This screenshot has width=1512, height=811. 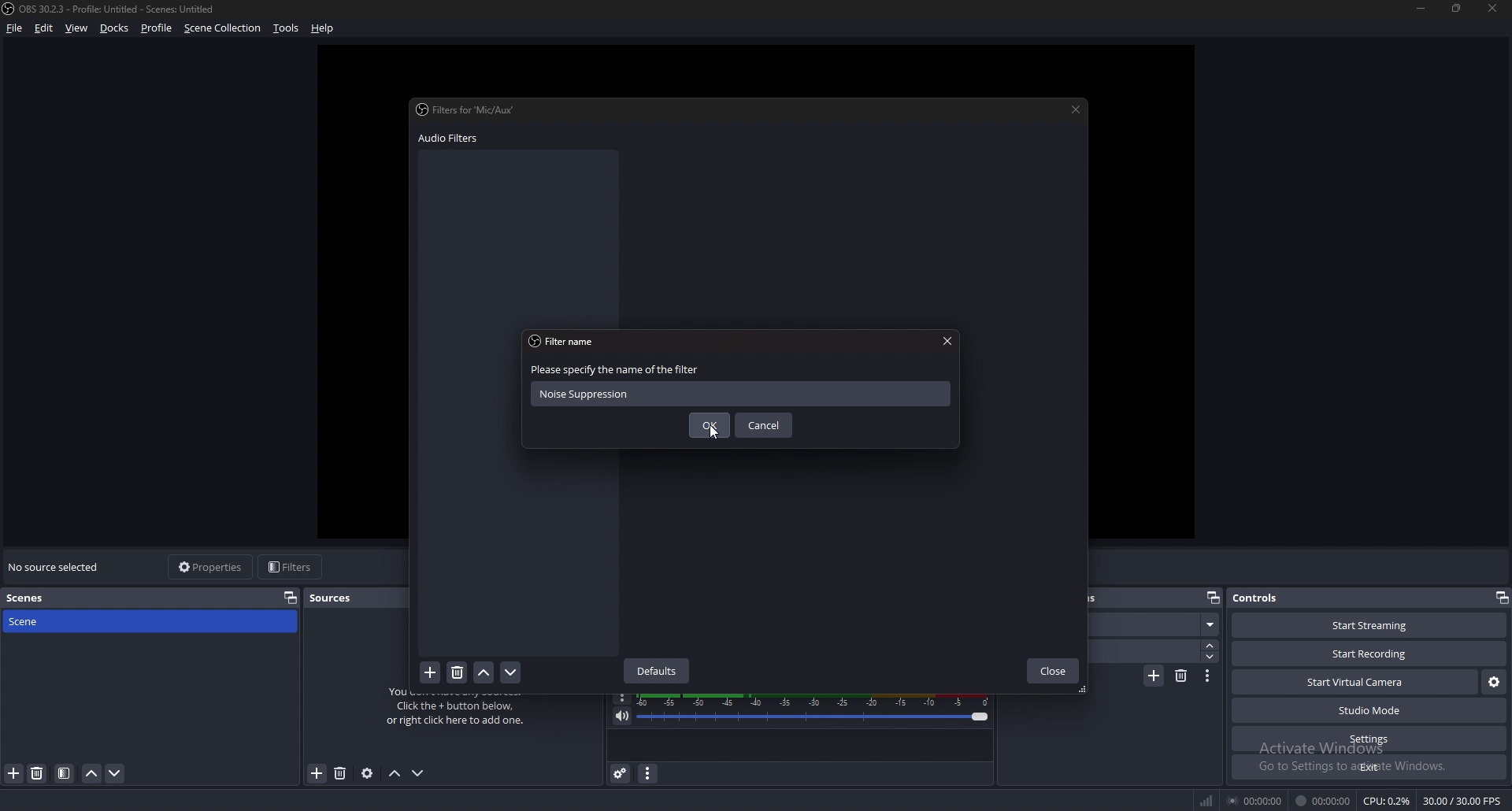 What do you see at coordinates (419, 773) in the screenshot?
I see `move source down` at bounding box center [419, 773].